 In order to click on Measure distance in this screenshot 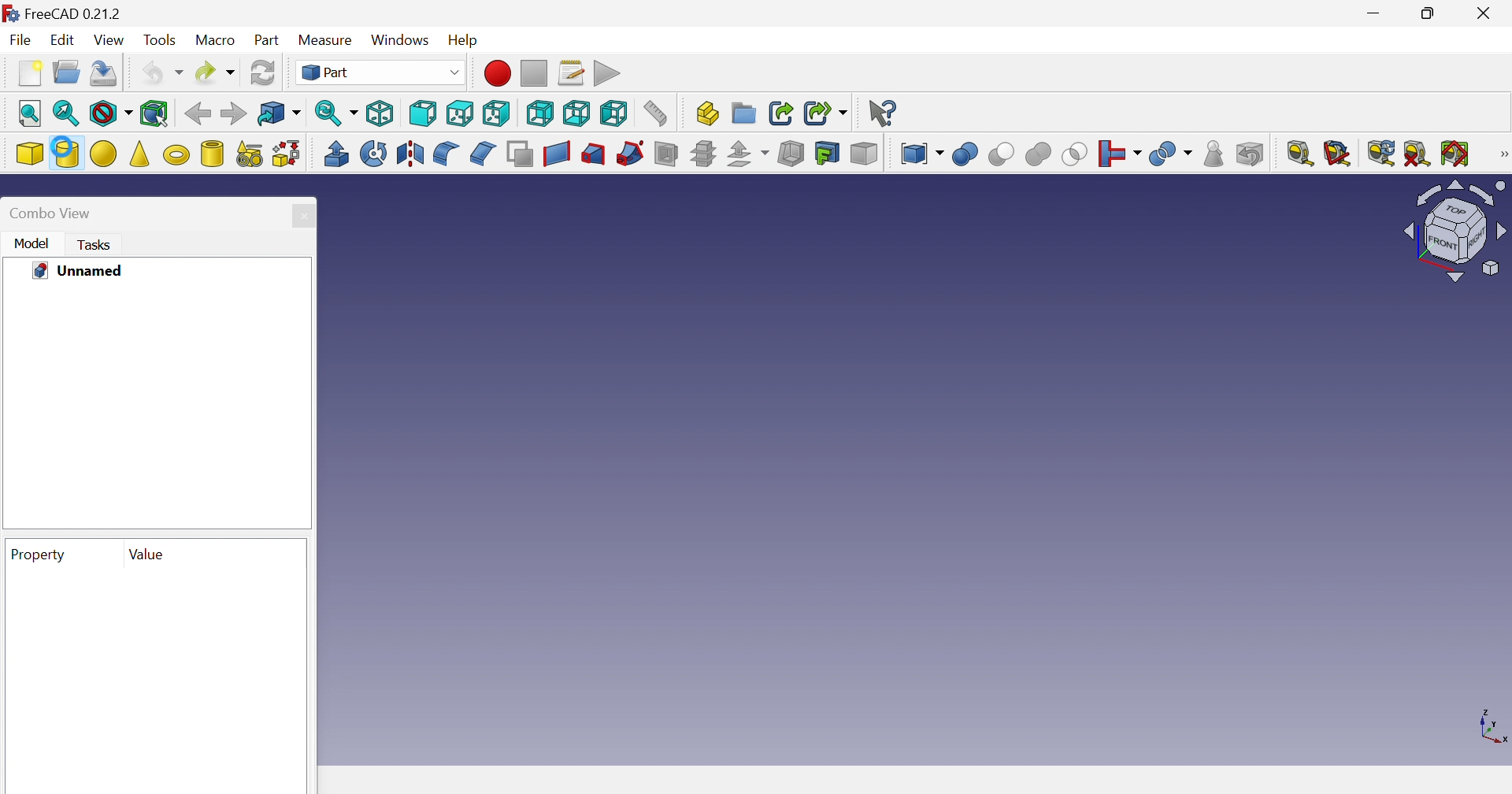, I will do `click(658, 113)`.